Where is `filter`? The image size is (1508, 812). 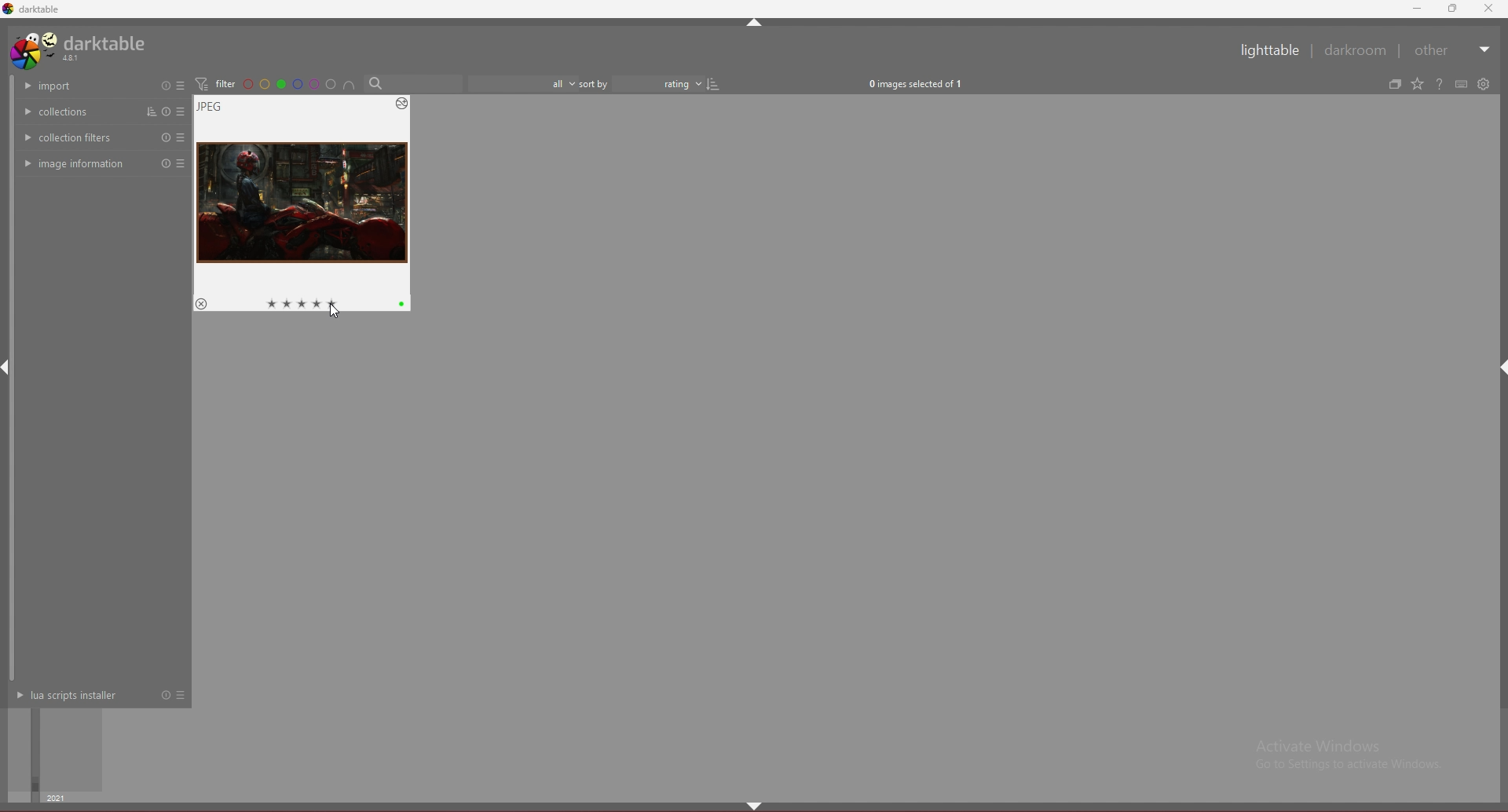 filter is located at coordinates (216, 85).